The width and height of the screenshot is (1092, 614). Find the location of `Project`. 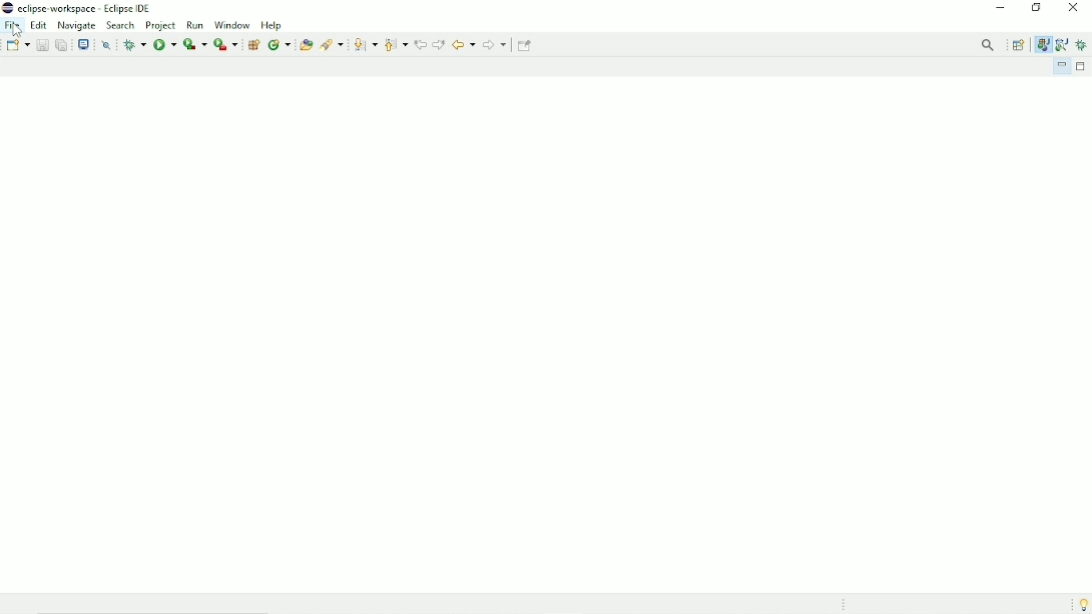

Project is located at coordinates (161, 26).